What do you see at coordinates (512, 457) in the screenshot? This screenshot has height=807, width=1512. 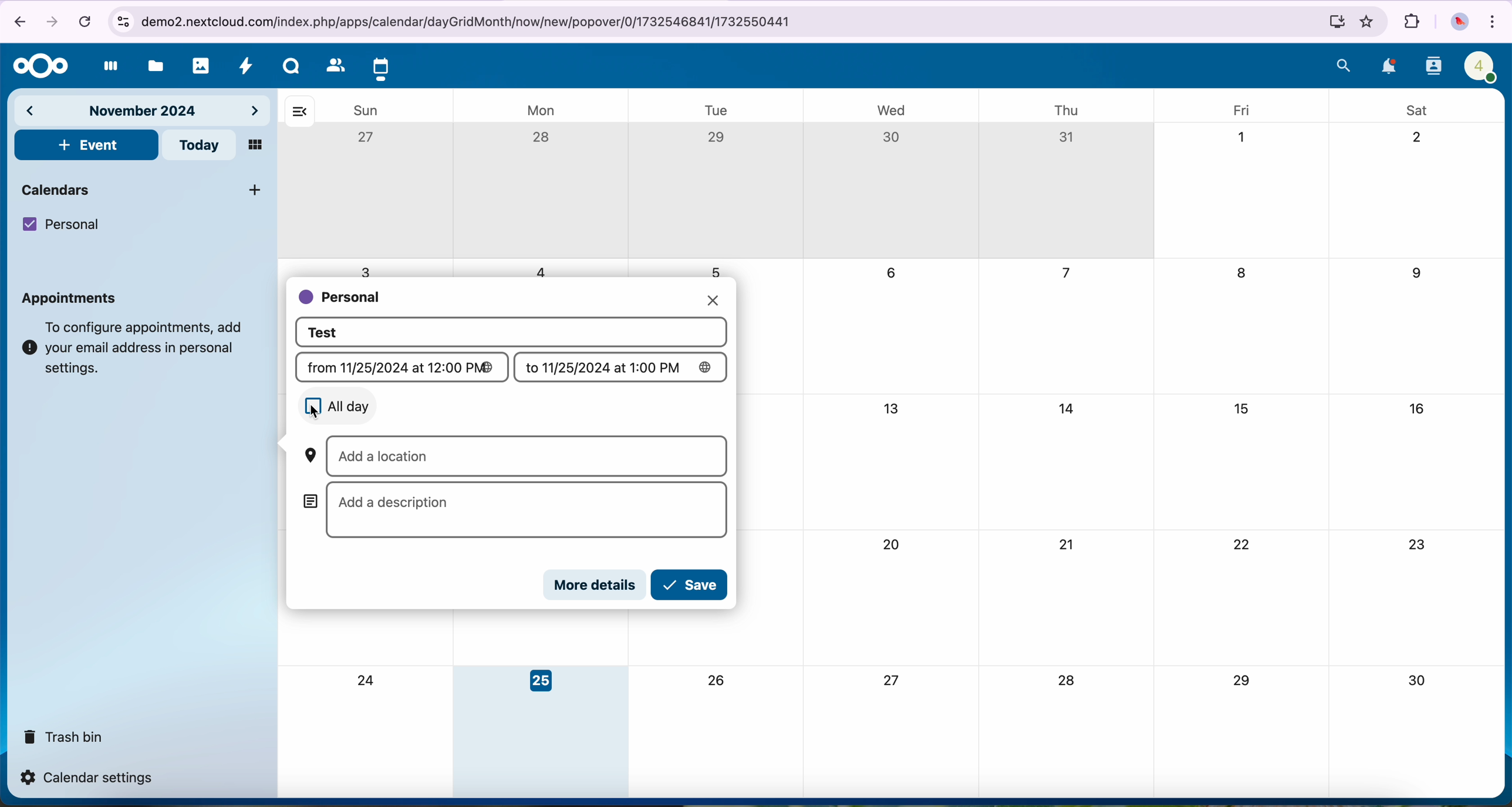 I see `add a location` at bounding box center [512, 457].